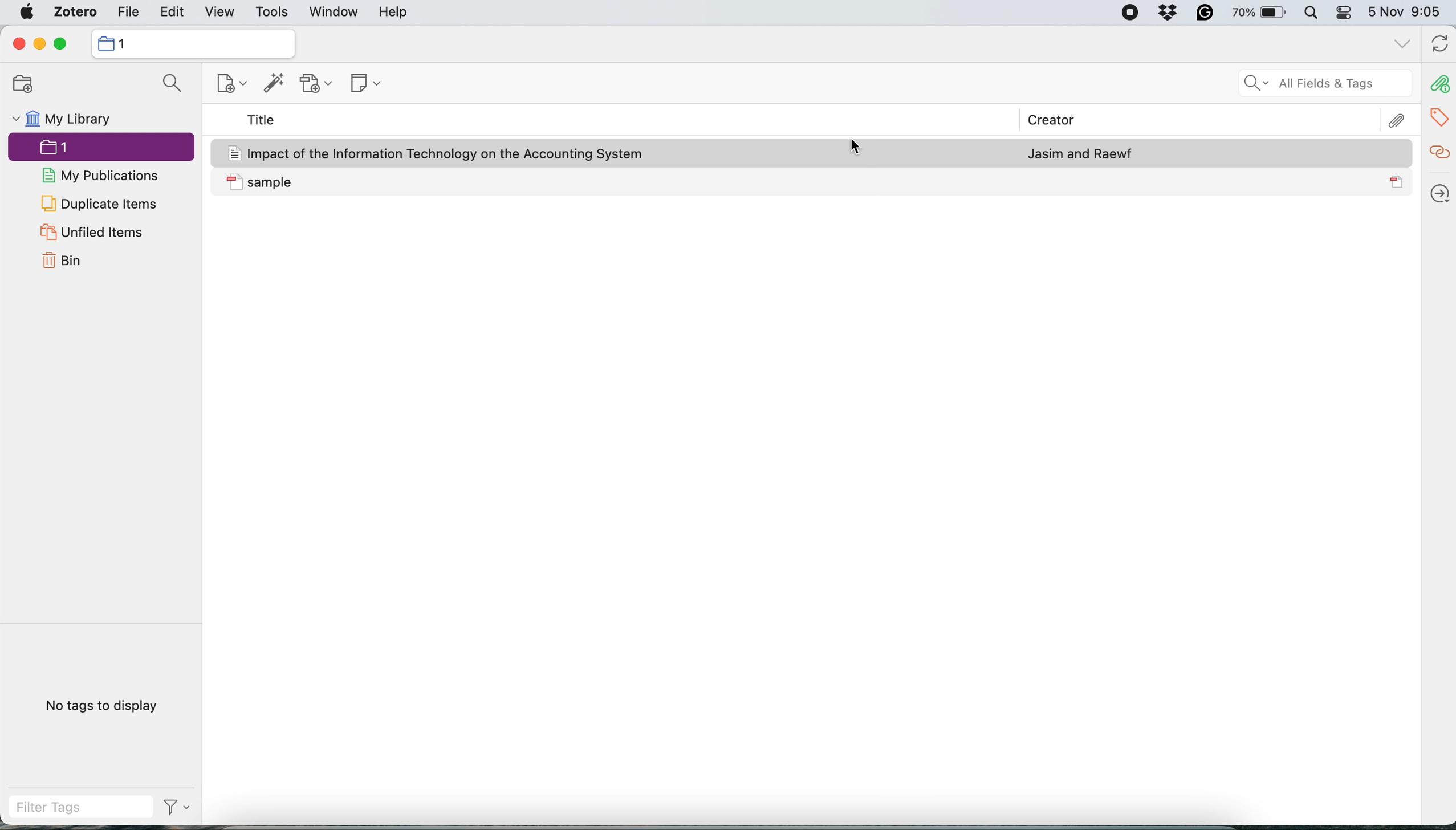  Describe the element at coordinates (812, 182) in the screenshot. I see `sample` at that location.